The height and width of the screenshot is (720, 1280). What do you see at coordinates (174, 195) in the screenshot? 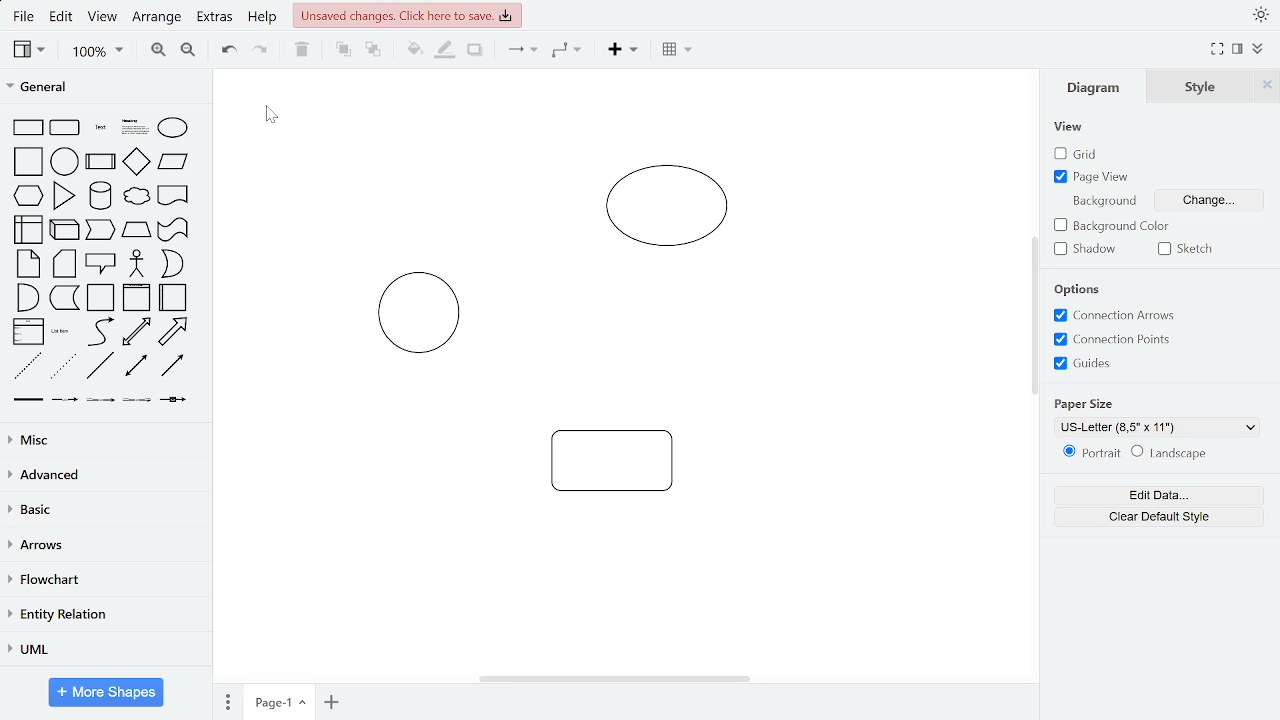
I see `document` at bounding box center [174, 195].